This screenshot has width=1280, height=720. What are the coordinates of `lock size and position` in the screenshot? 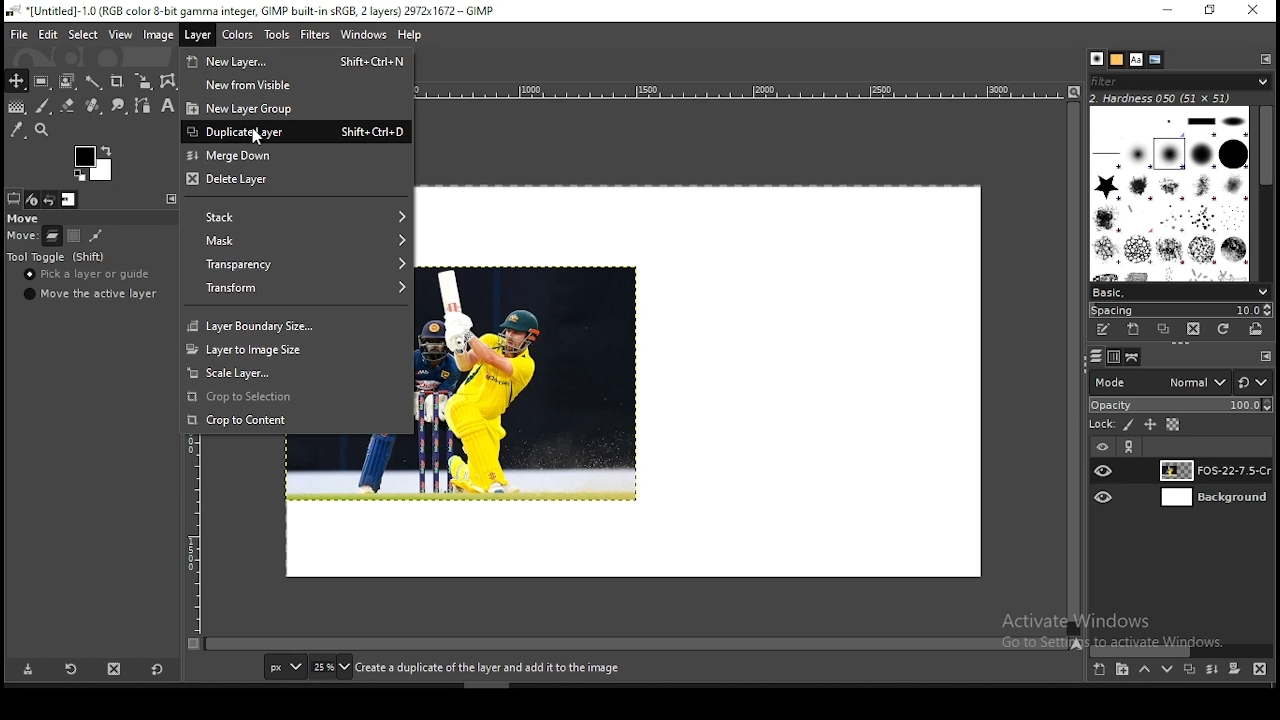 It's located at (1151, 426).